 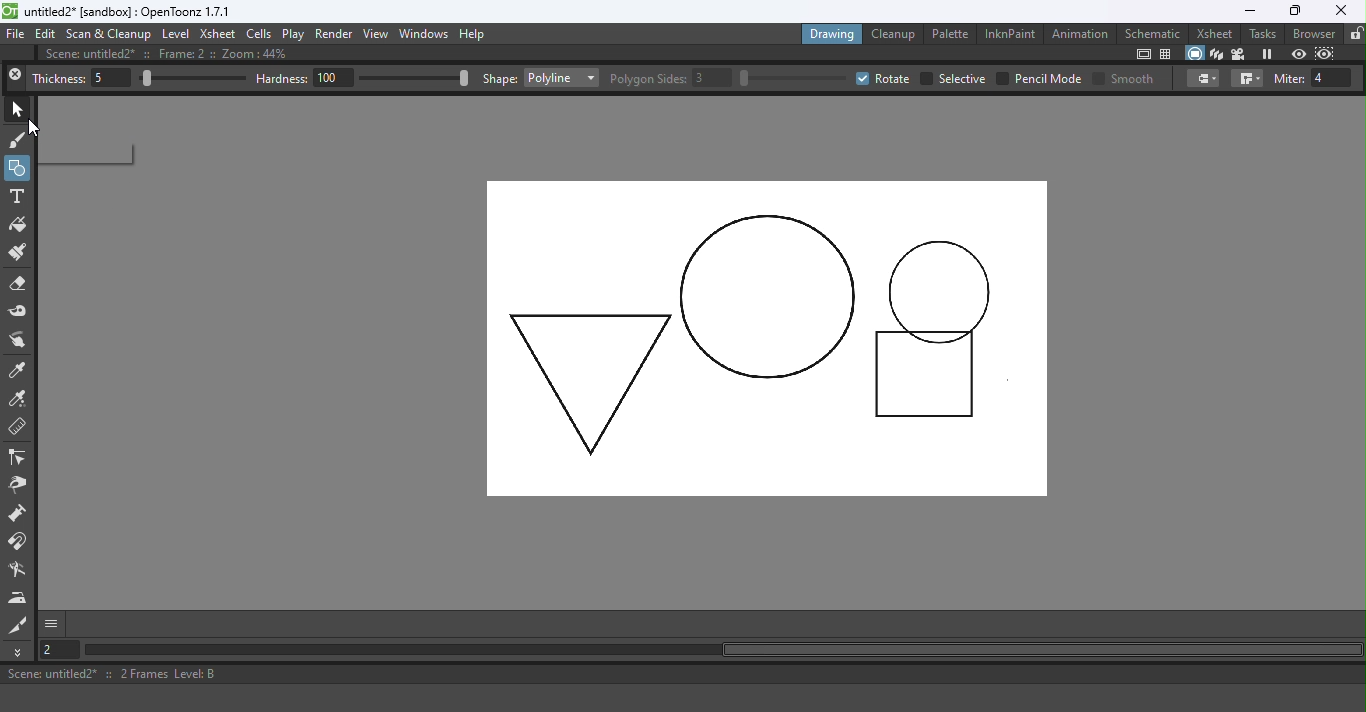 I want to click on Control point editor tool, so click(x=19, y=459).